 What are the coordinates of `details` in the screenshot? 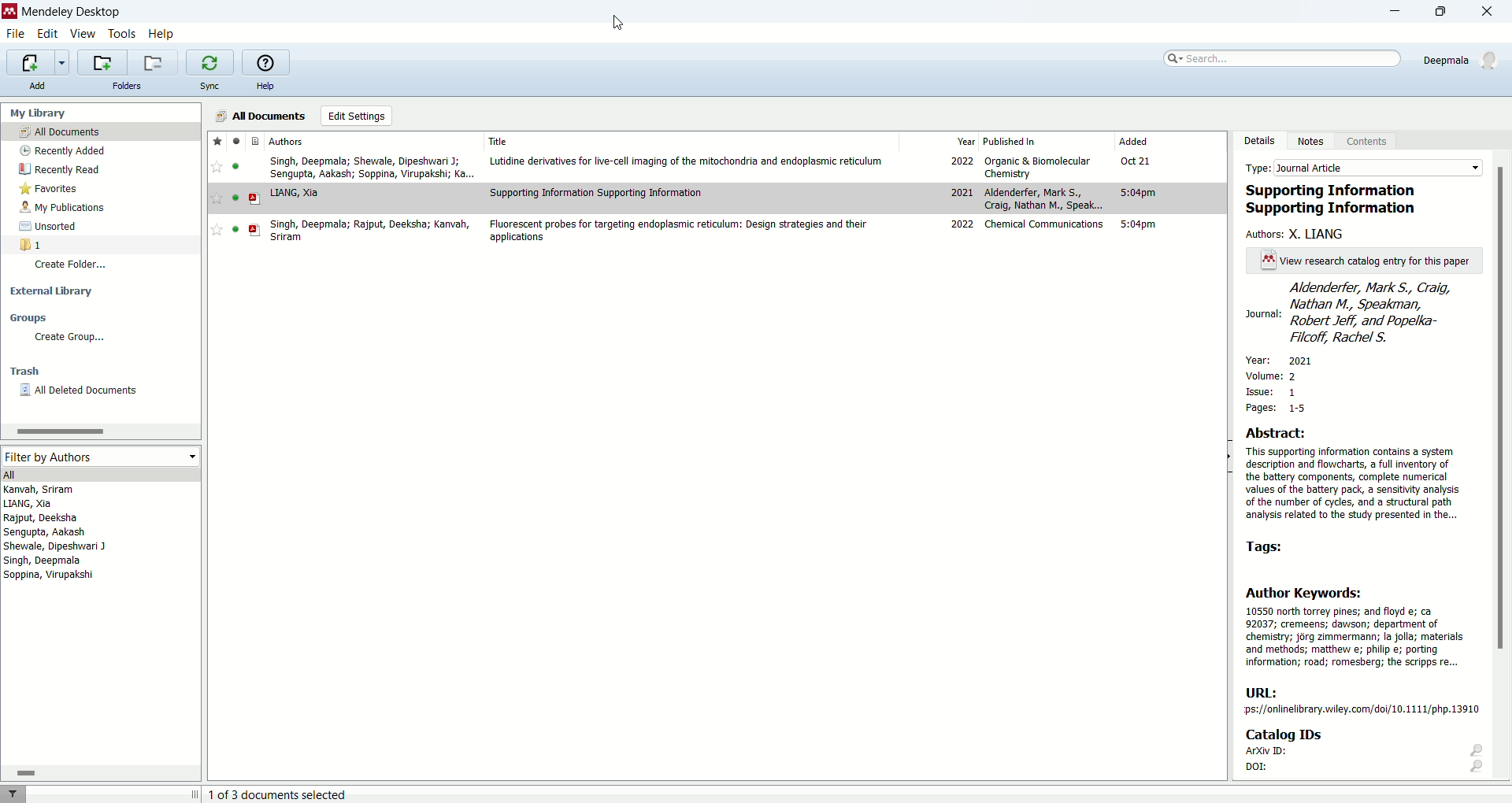 It's located at (1259, 140).